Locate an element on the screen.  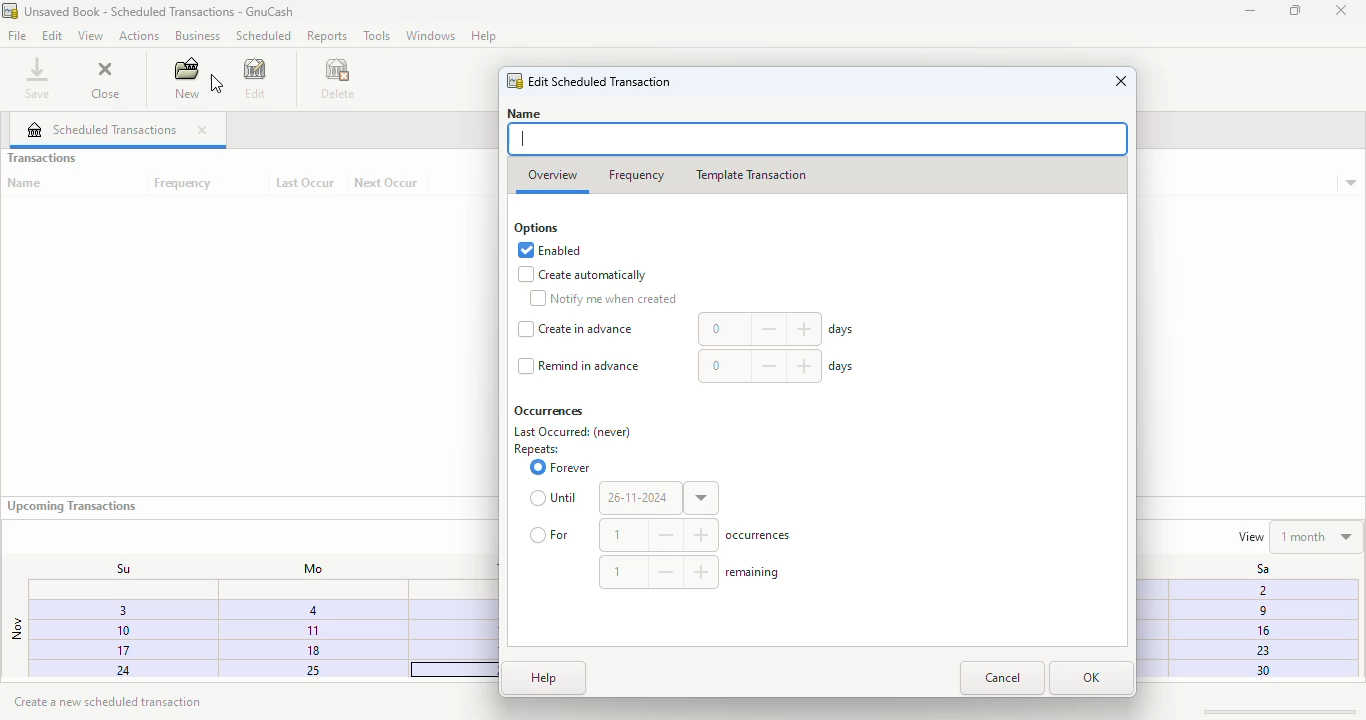
OK is located at coordinates (1091, 678).